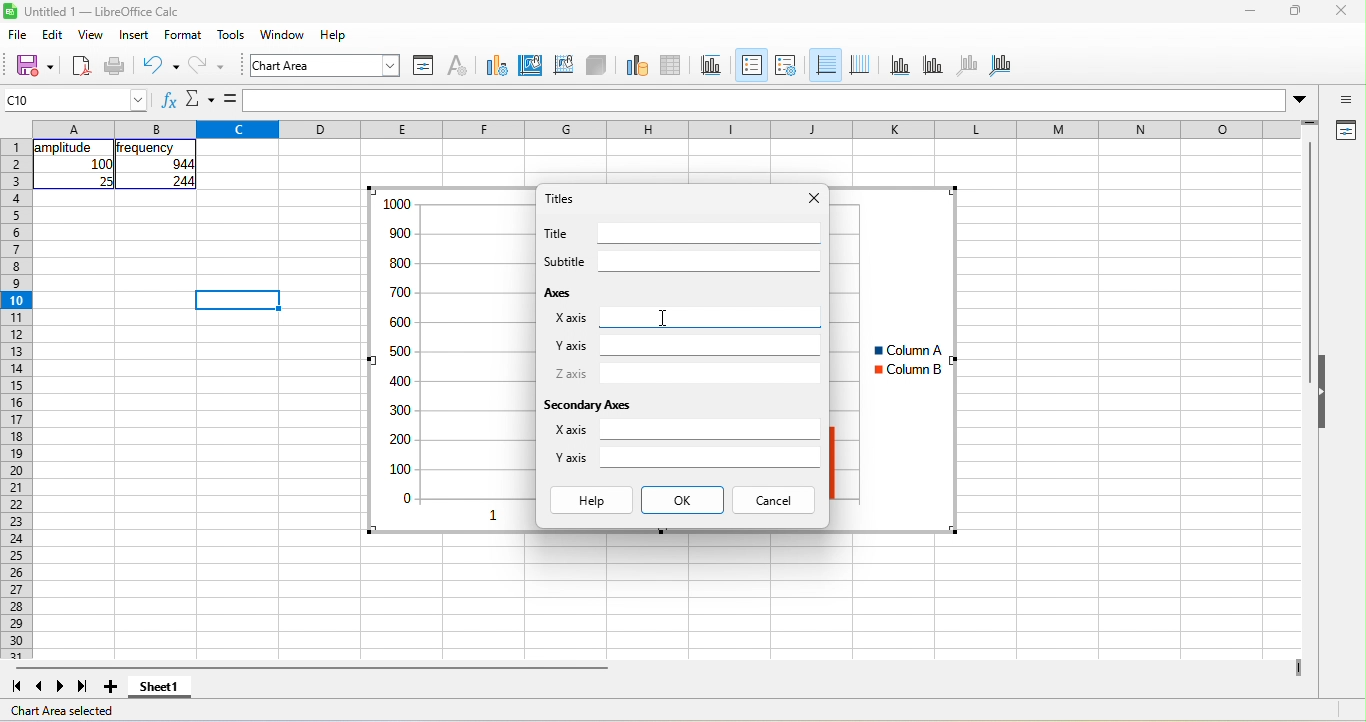 The height and width of the screenshot is (722, 1366). I want to click on cancel, so click(773, 500).